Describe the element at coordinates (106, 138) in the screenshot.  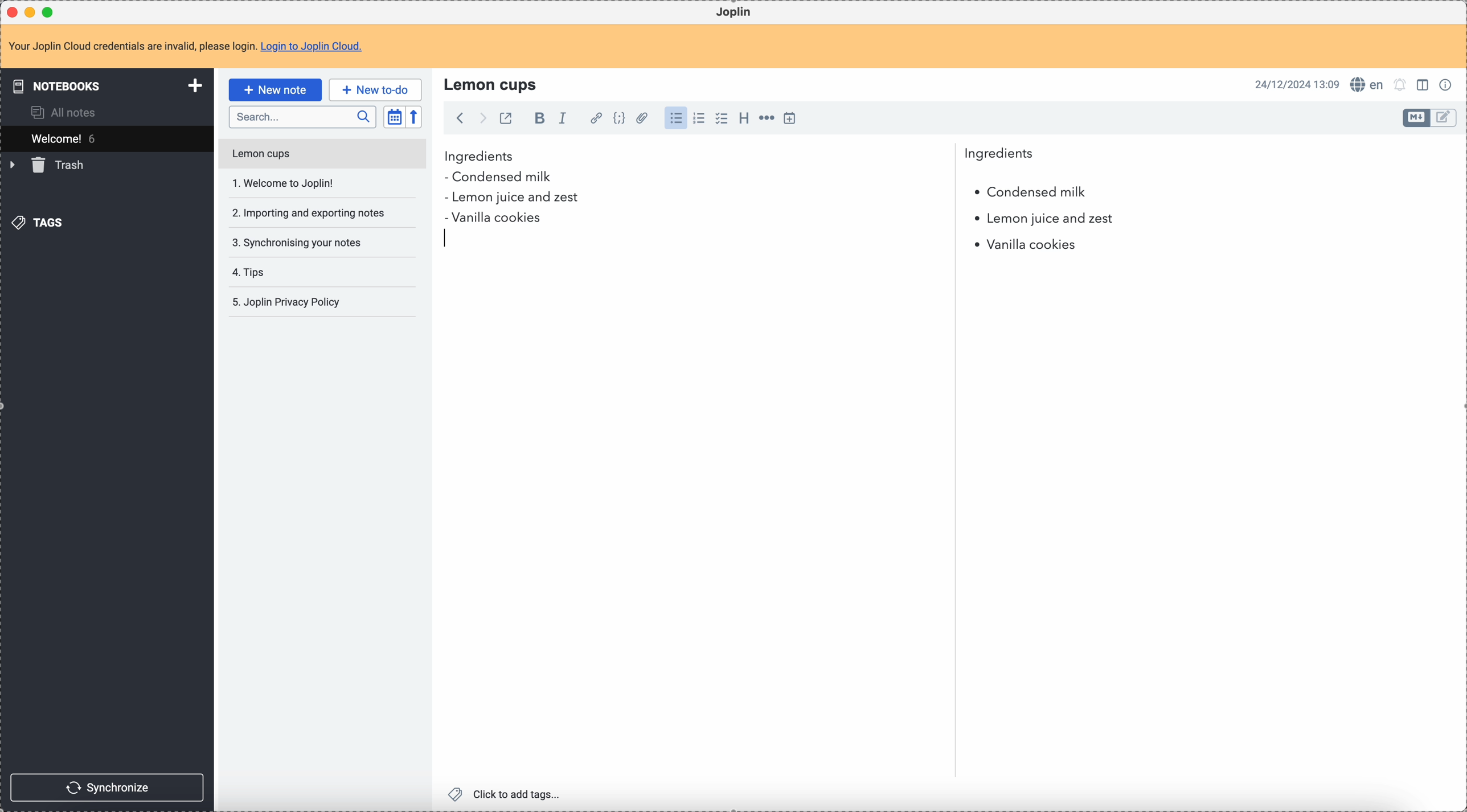
I see `welcome` at that location.